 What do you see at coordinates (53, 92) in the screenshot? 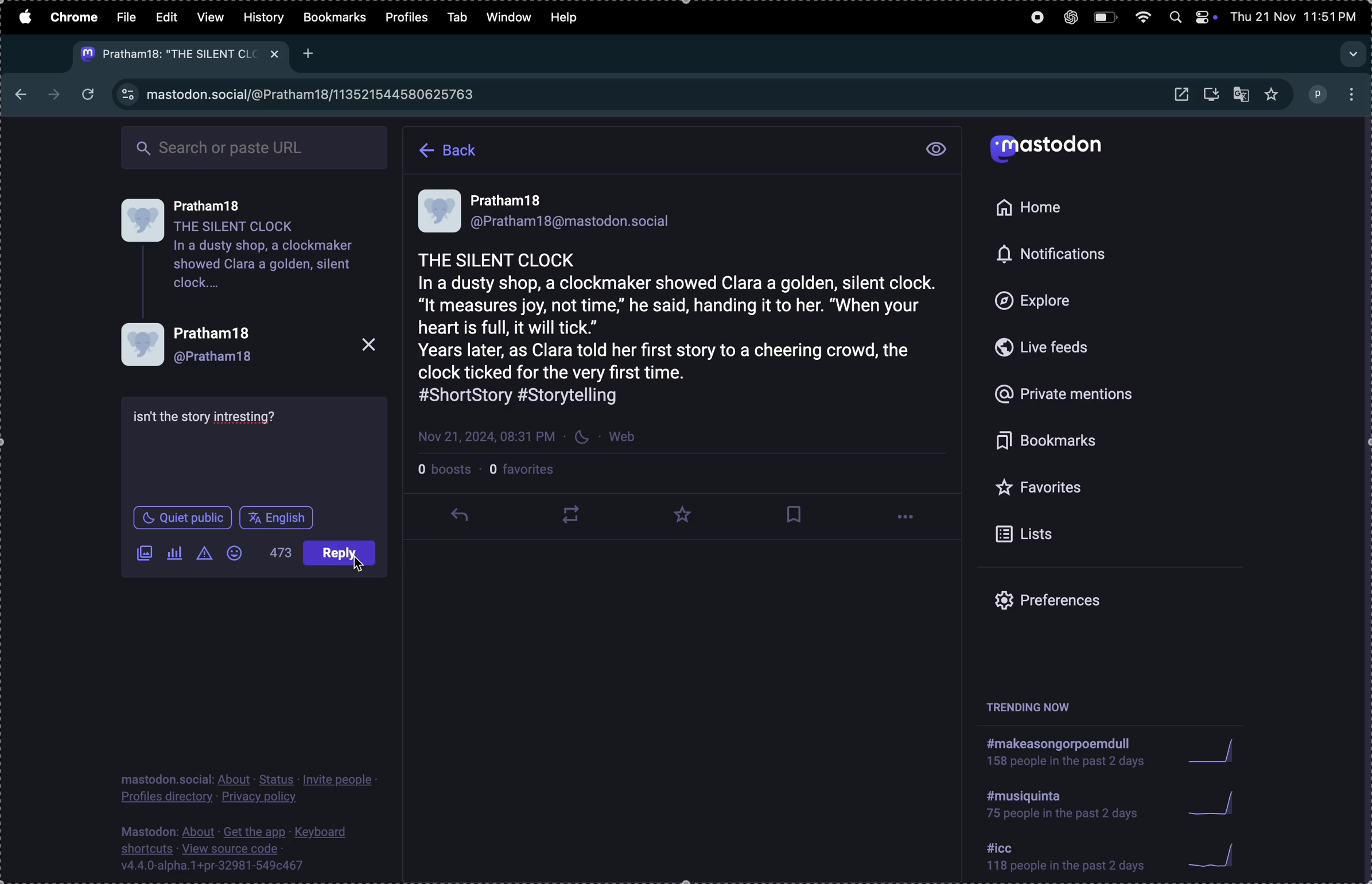
I see `next page` at bounding box center [53, 92].